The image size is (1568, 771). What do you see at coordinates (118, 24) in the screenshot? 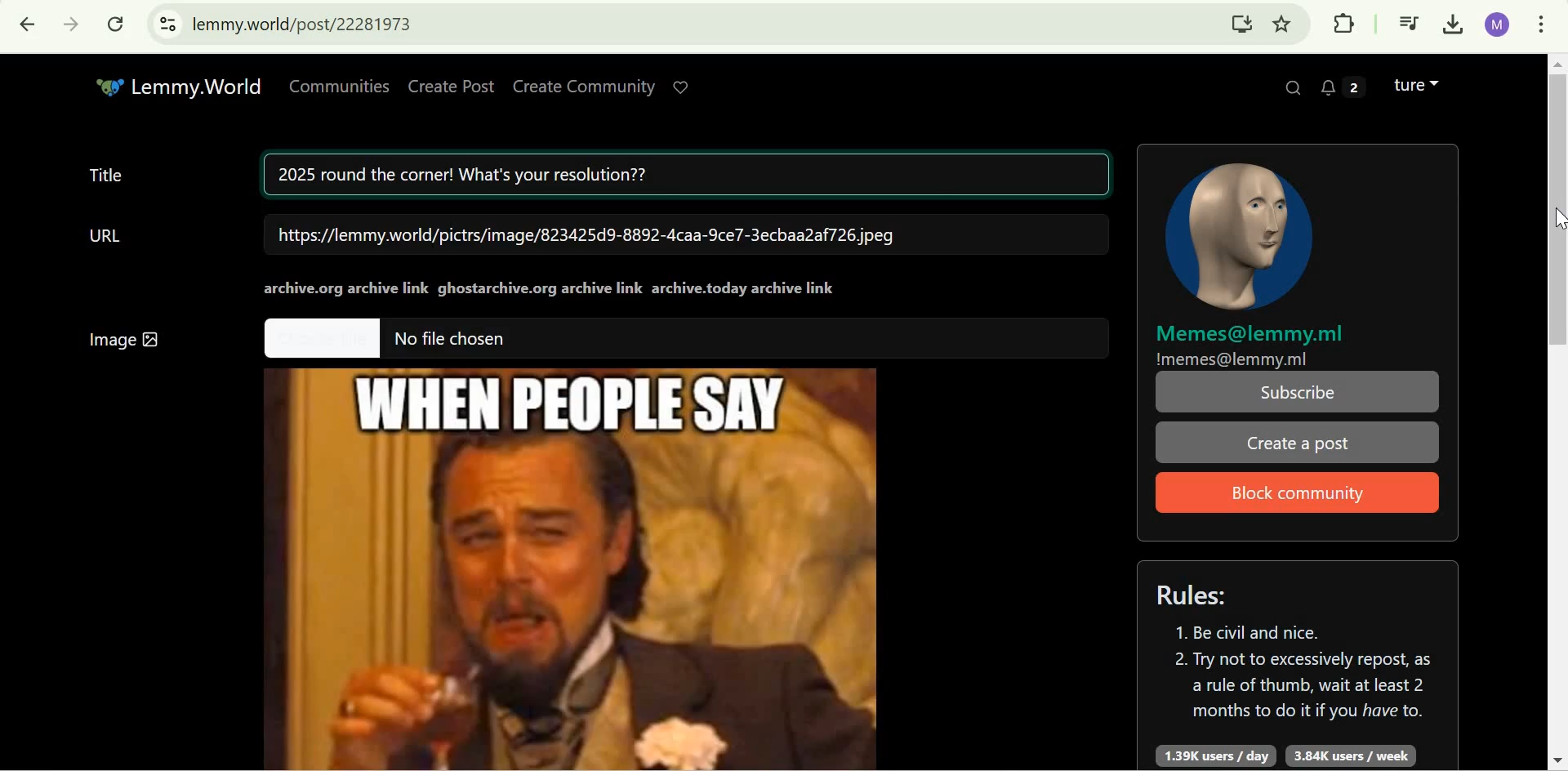
I see `Reload this page` at bounding box center [118, 24].